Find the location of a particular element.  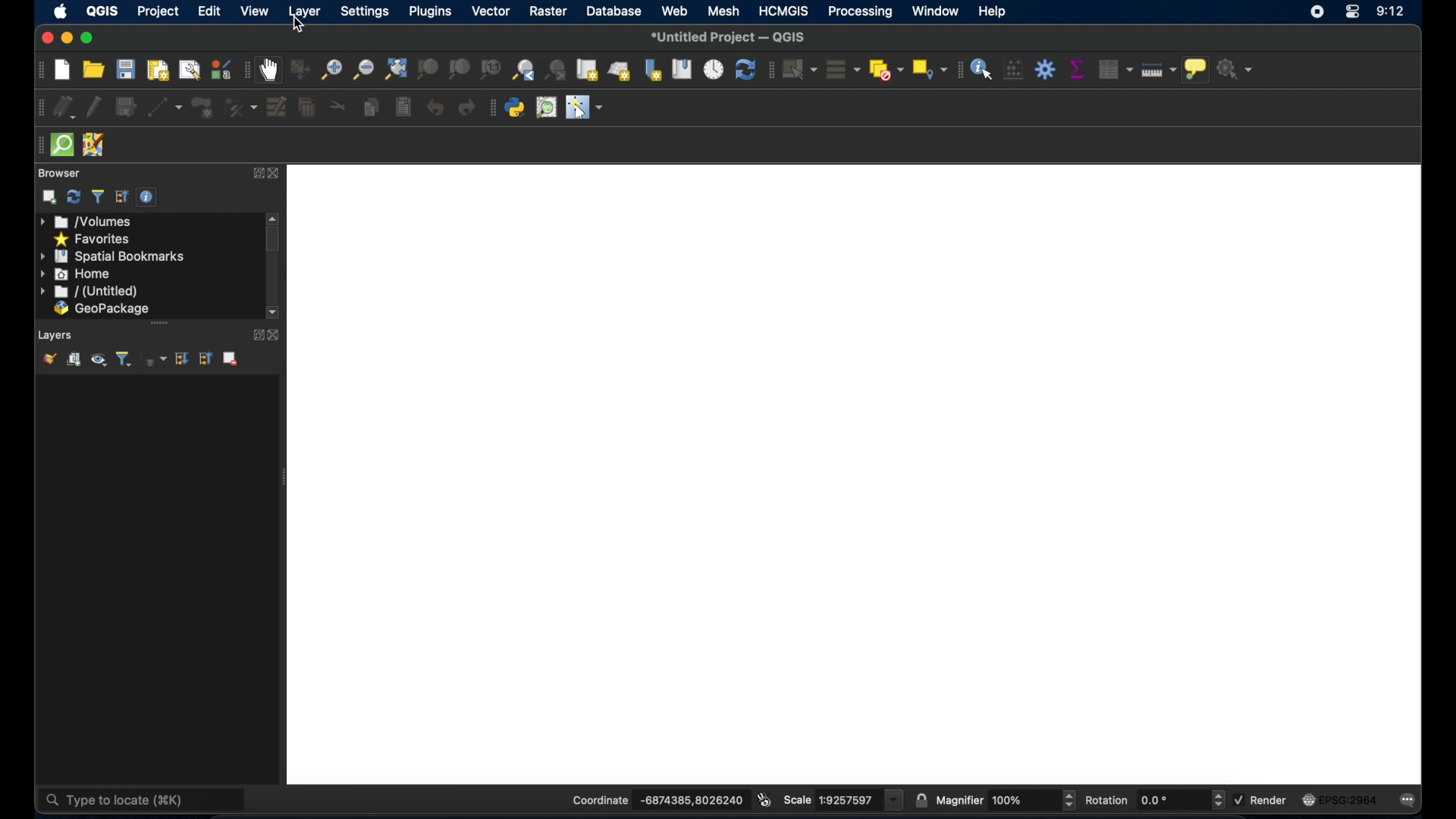

*Untitled Project - QGIS is located at coordinates (730, 36).